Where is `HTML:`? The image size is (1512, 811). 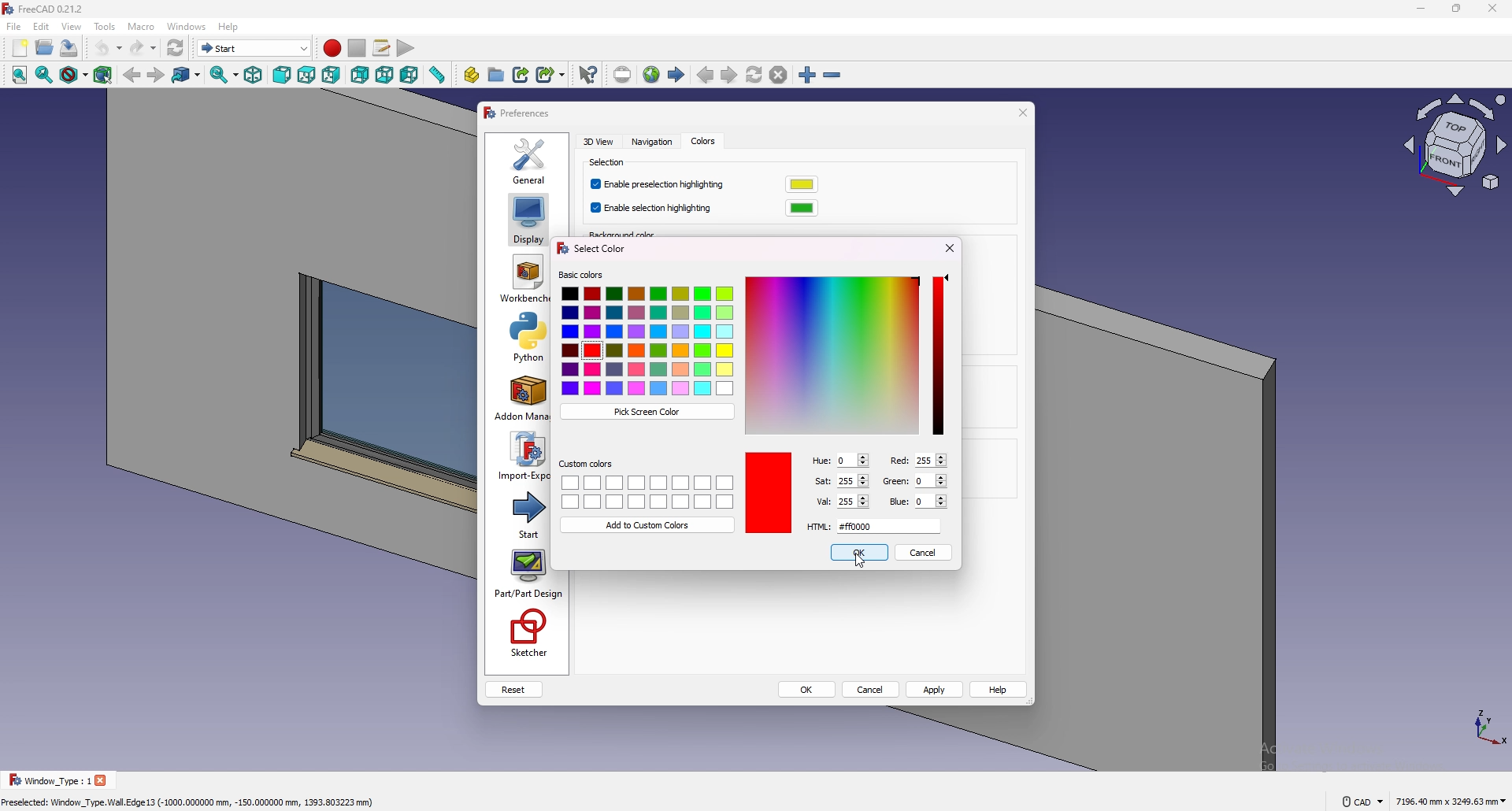 HTML: is located at coordinates (818, 528).